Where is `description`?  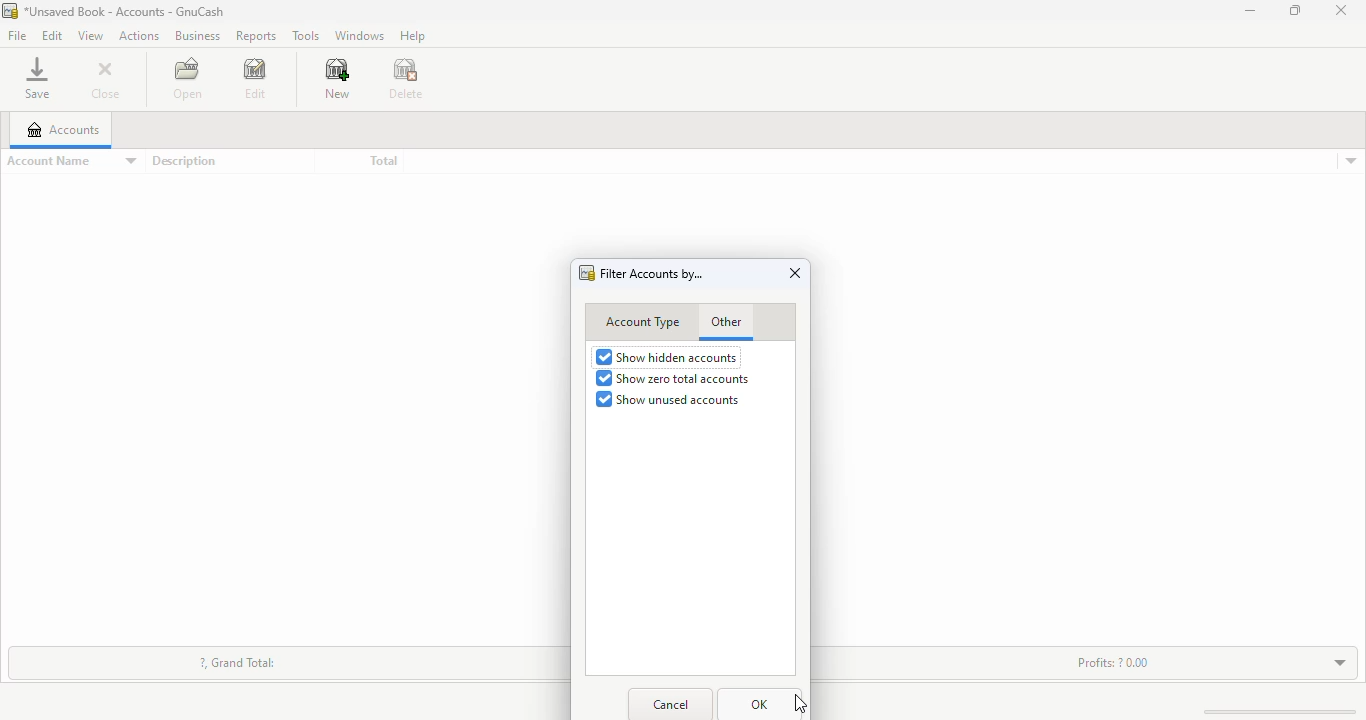
description is located at coordinates (183, 161).